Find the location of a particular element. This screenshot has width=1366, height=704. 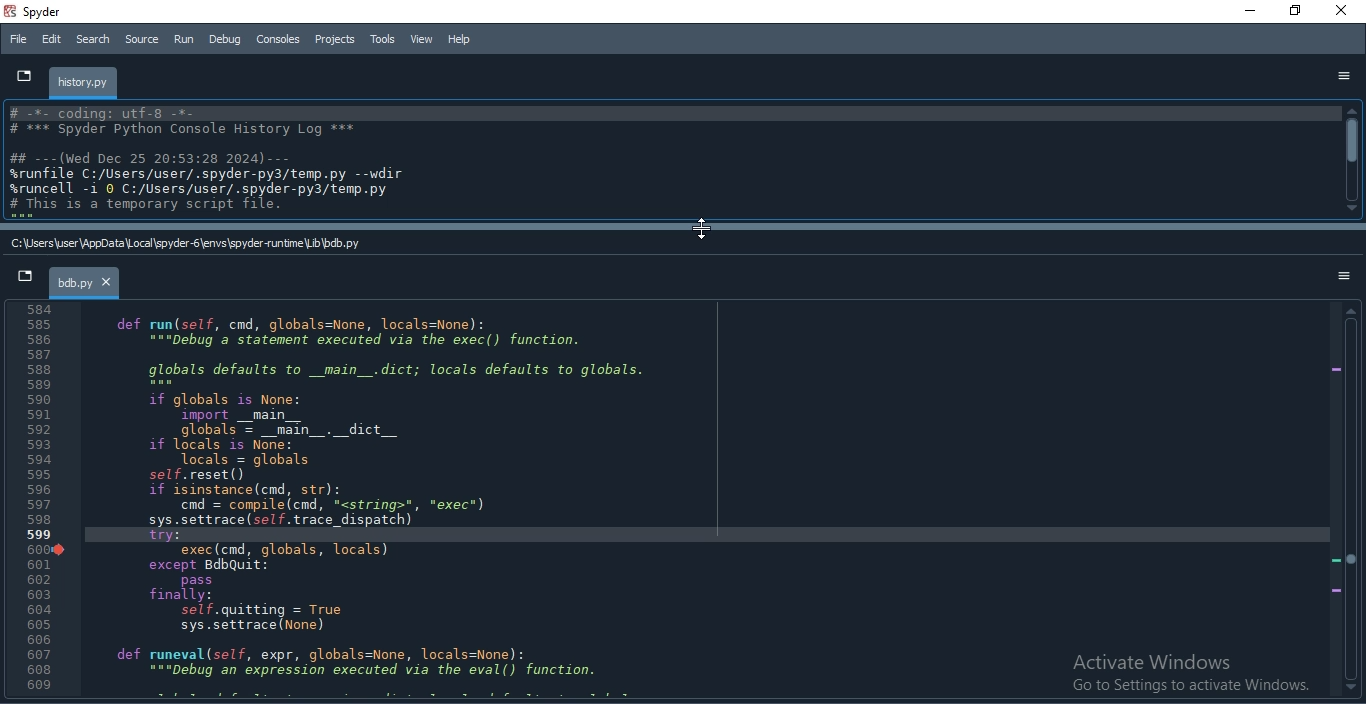

close is located at coordinates (1346, 12).